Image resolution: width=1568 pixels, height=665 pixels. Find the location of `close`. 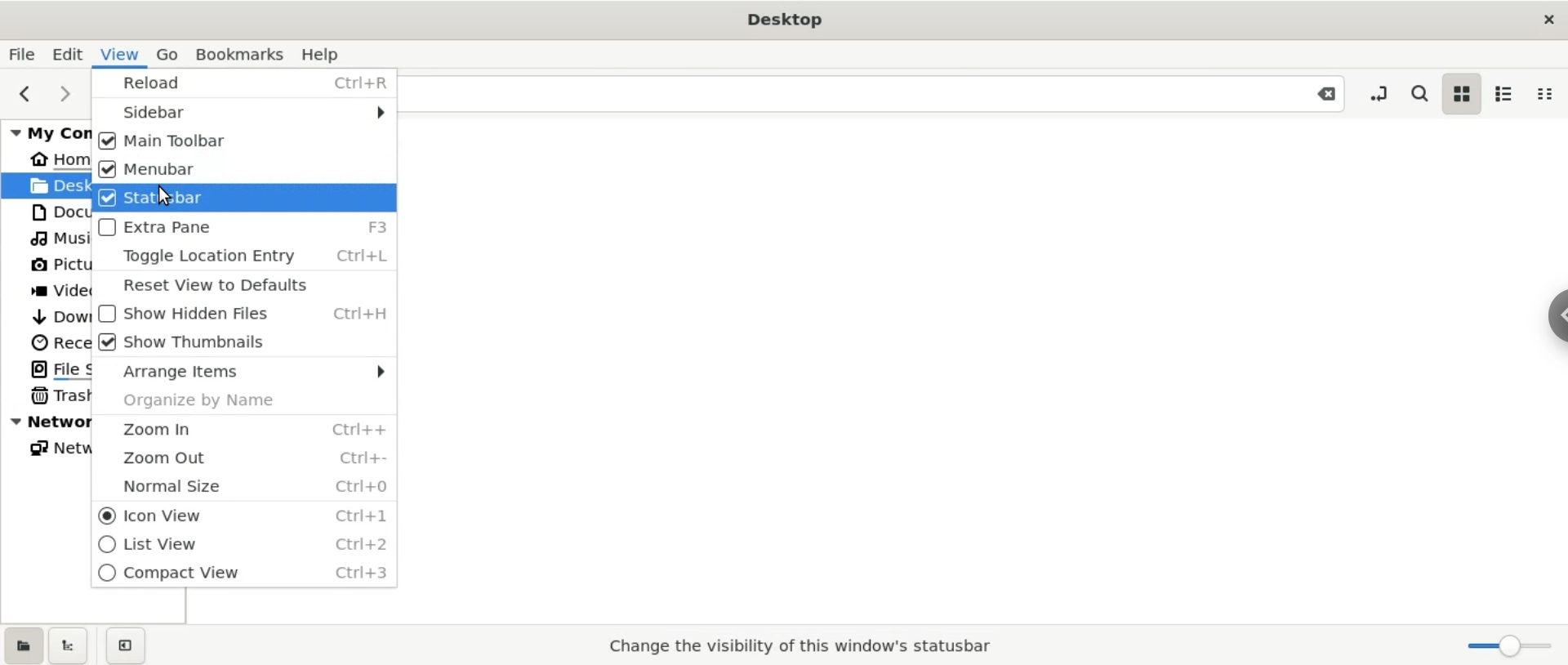

close is located at coordinates (1537, 17).